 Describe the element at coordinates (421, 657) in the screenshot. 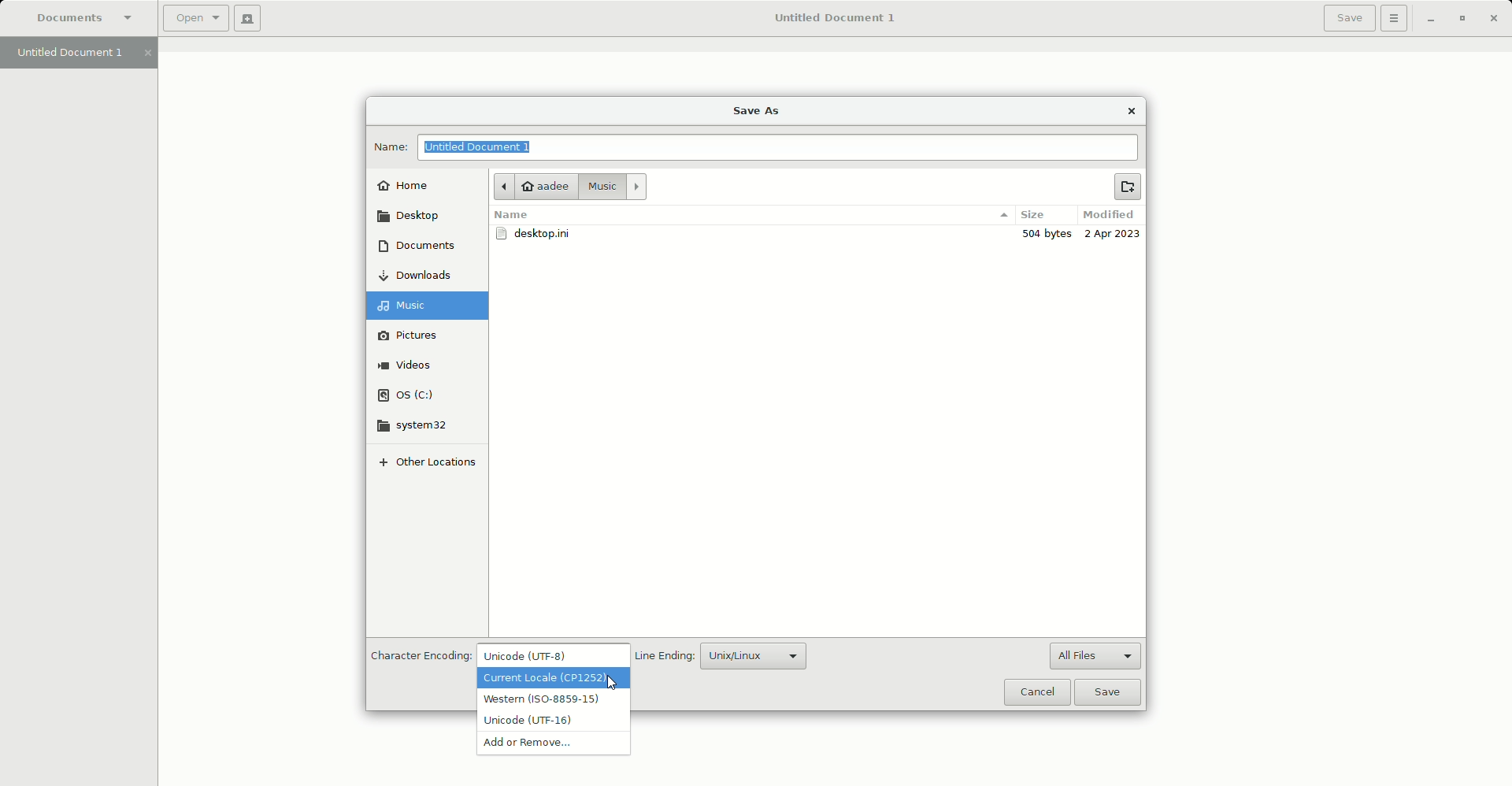

I see `Character Encoding` at that location.